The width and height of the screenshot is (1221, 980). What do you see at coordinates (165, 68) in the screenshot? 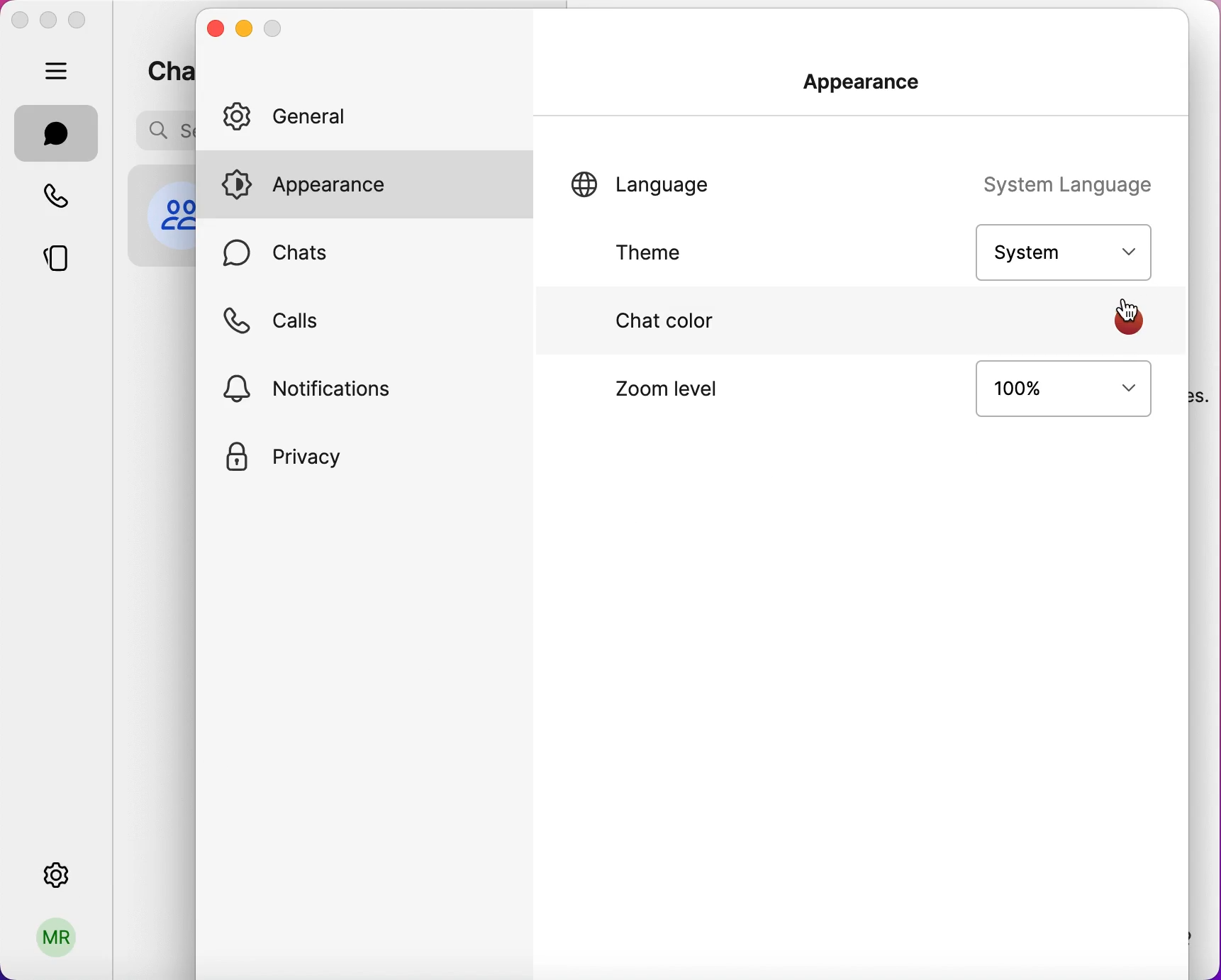
I see `chats` at bounding box center [165, 68].